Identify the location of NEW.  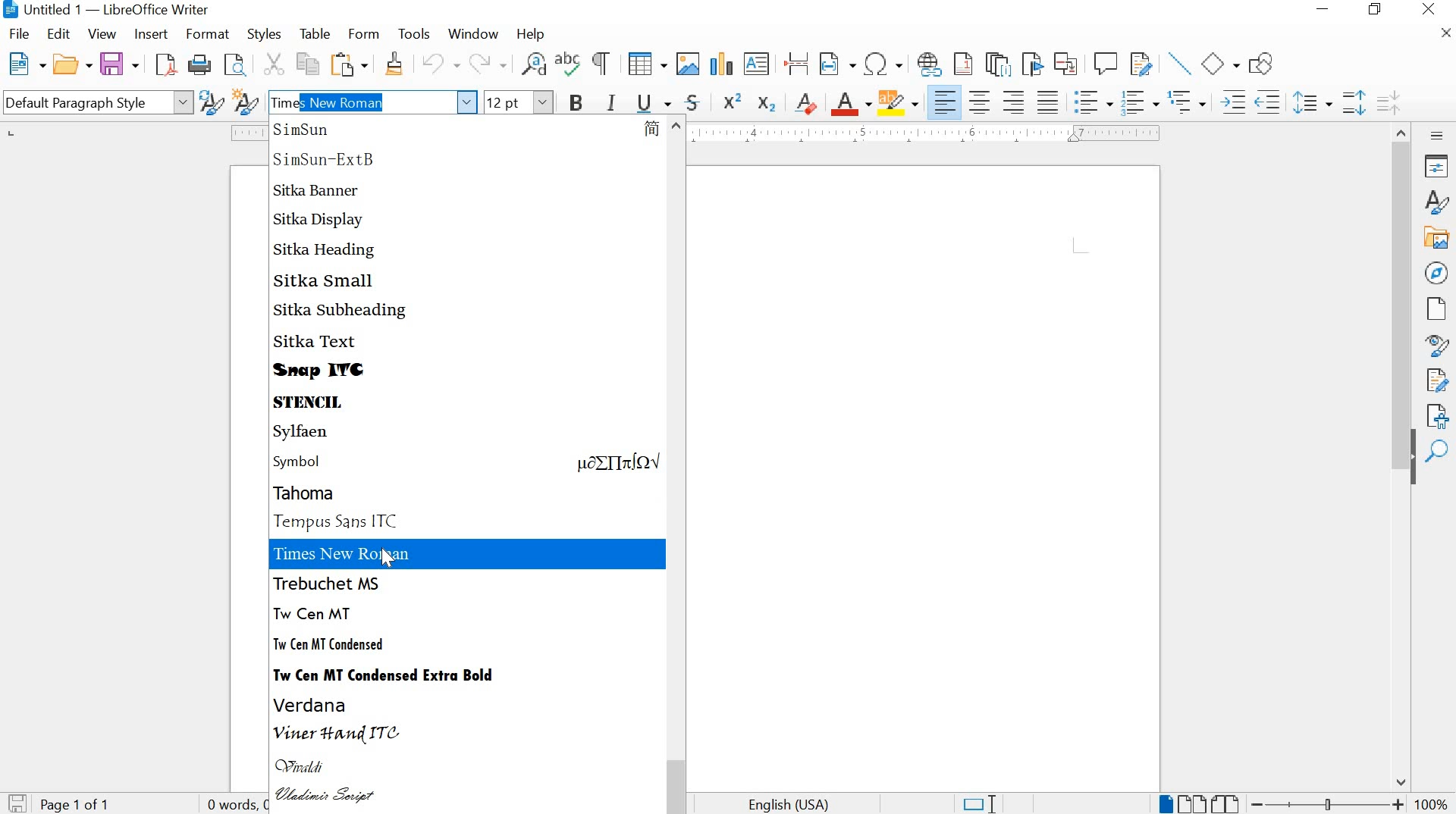
(24, 63).